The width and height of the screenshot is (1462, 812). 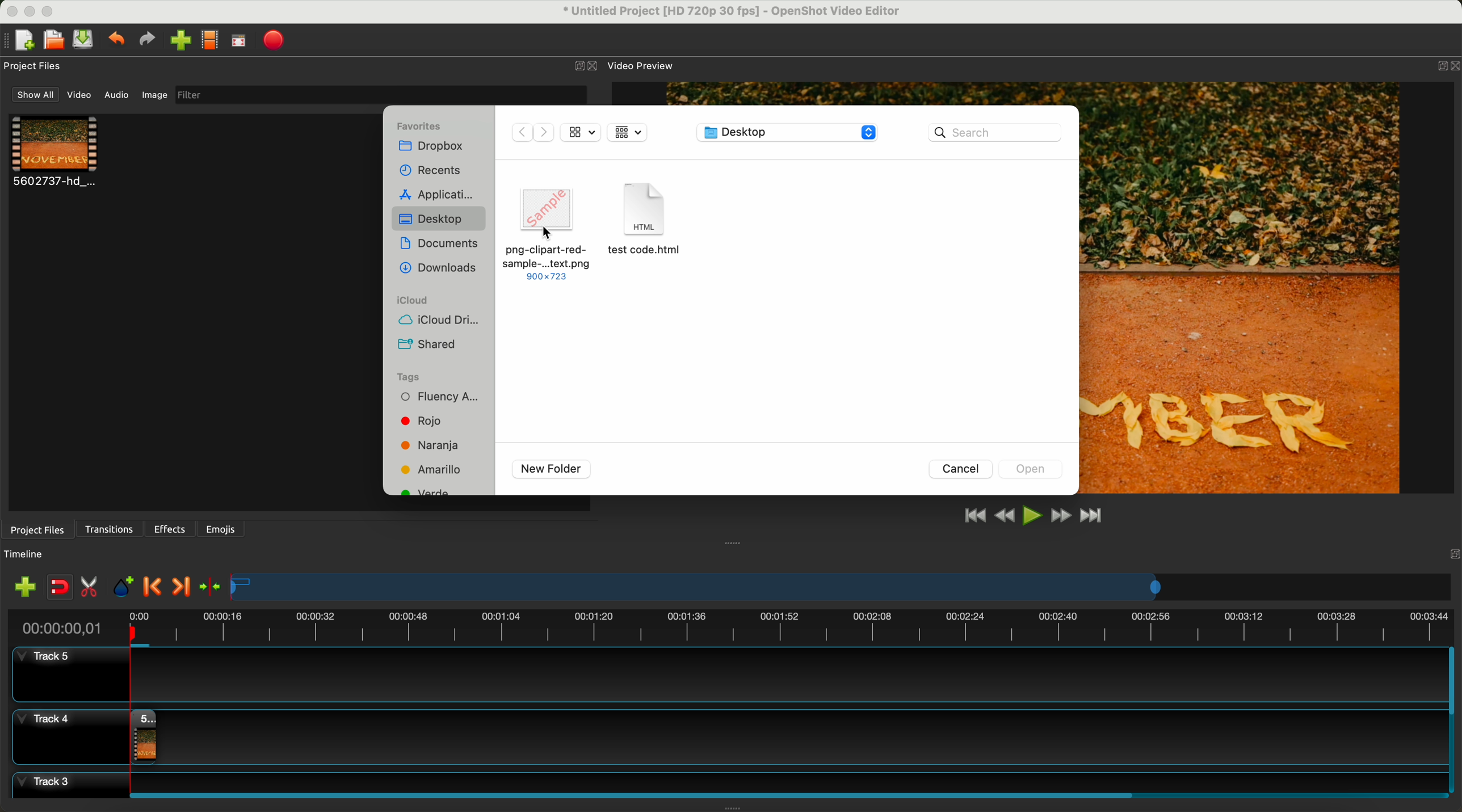 I want to click on center the timeline on the playhead, so click(x=209, y=586).